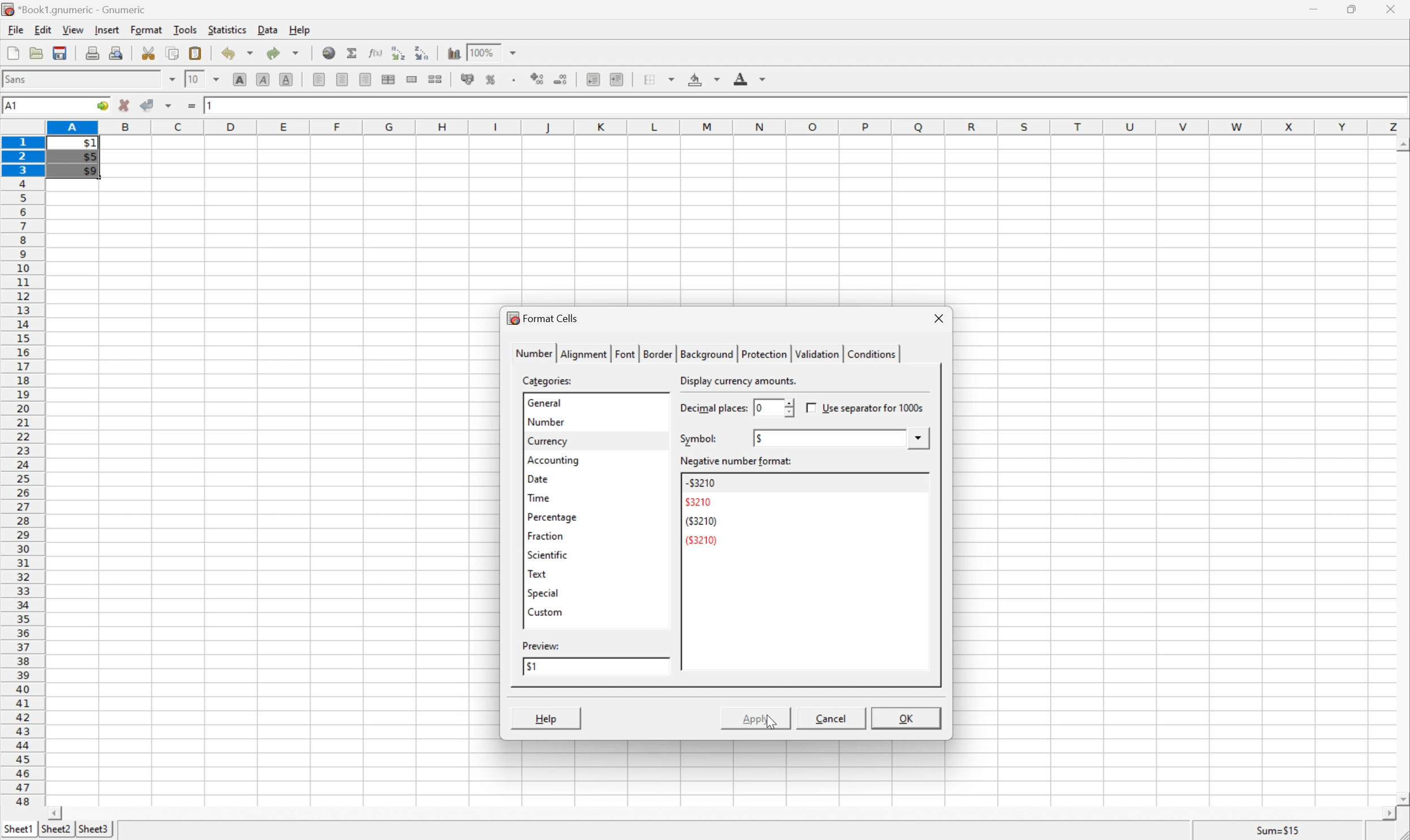 Image resolution: width=1410 pixels, height=840 pixels. Describe the element at coordinates (1401, 145) in the screenshot. I see `scroll up` at that location.